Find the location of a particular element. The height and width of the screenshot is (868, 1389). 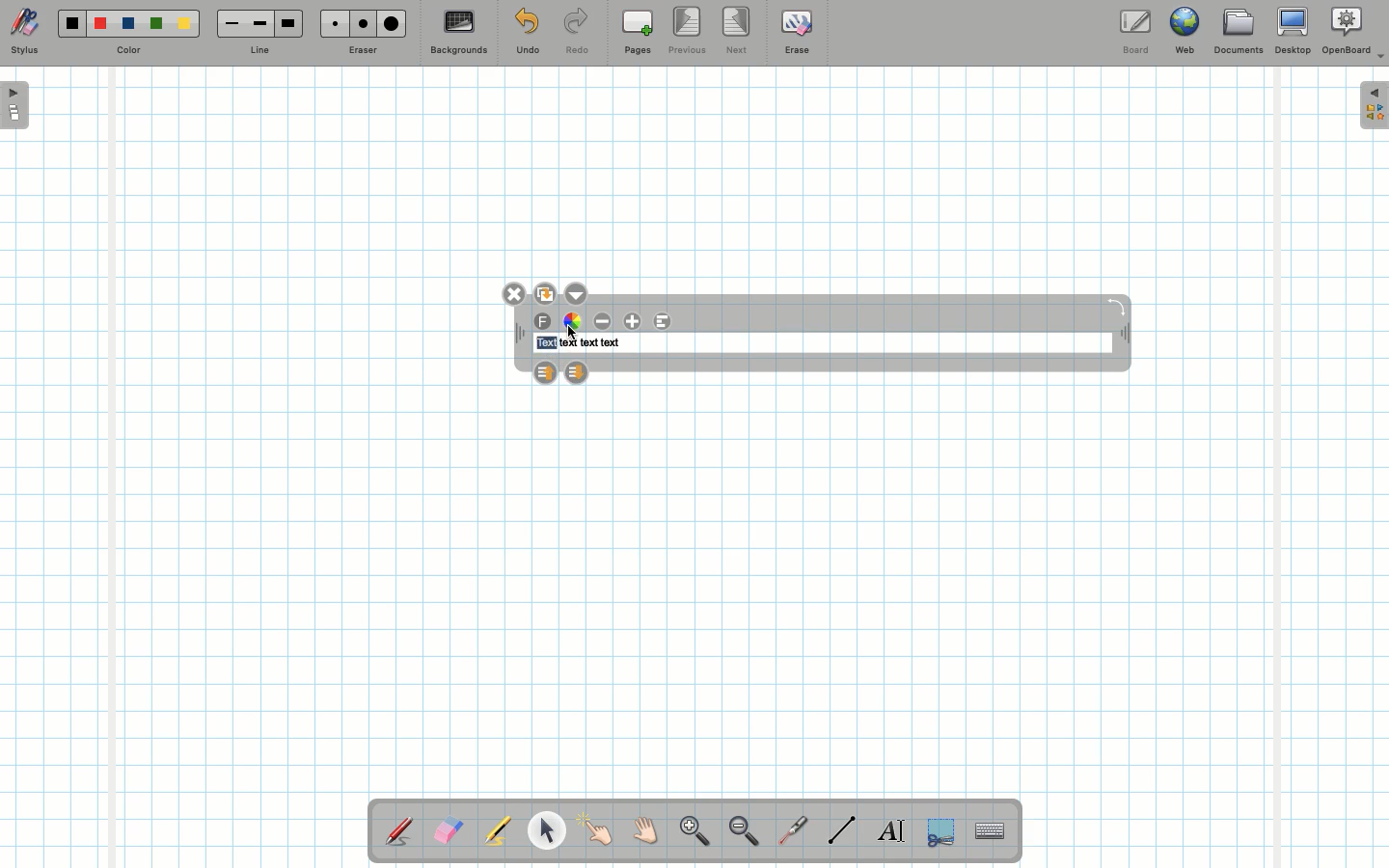

Black is located at coordinates (70, 23).